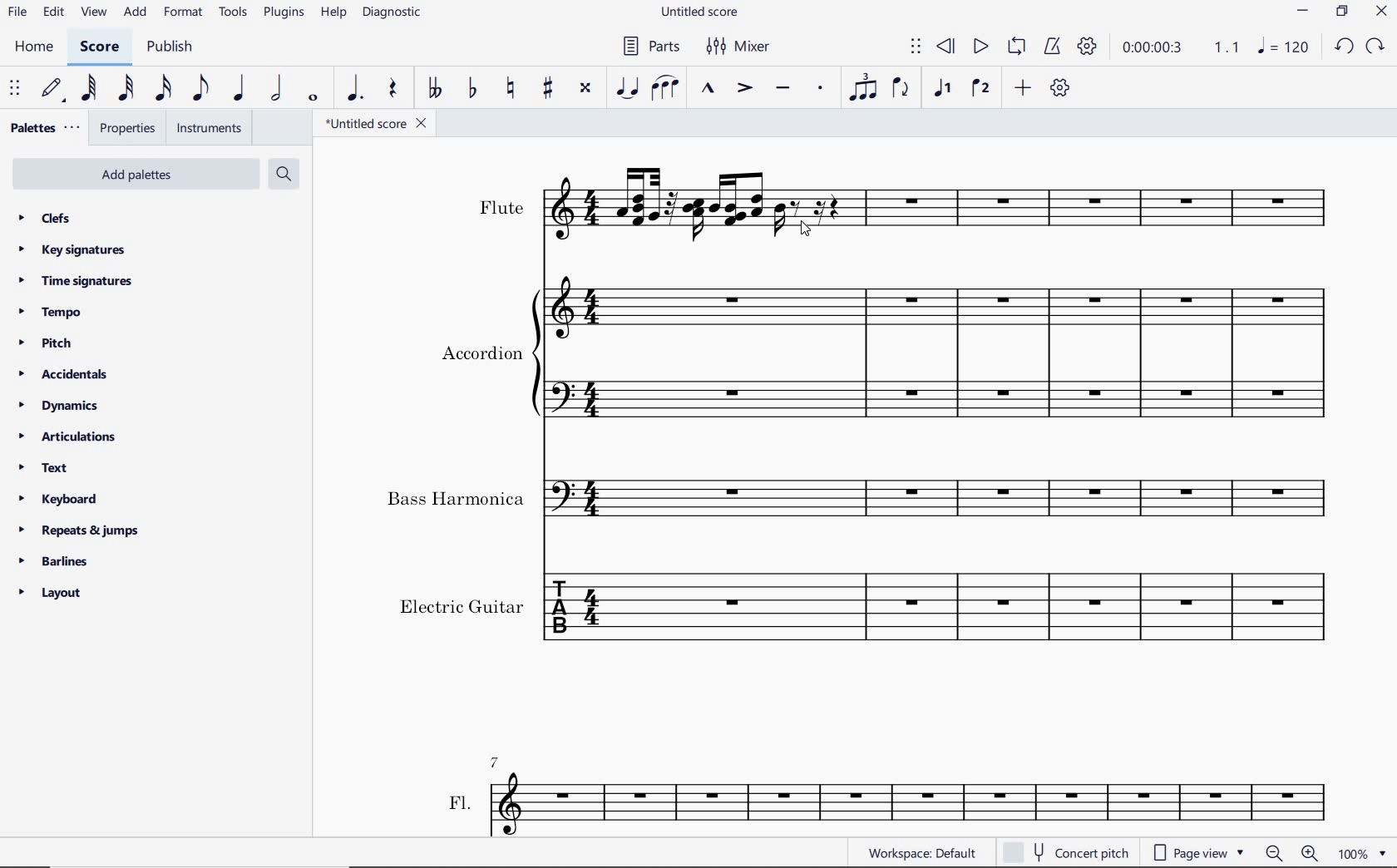 The height and width of the screenshot is (868, 1397). I want to click on whole note, so click(313, 99).